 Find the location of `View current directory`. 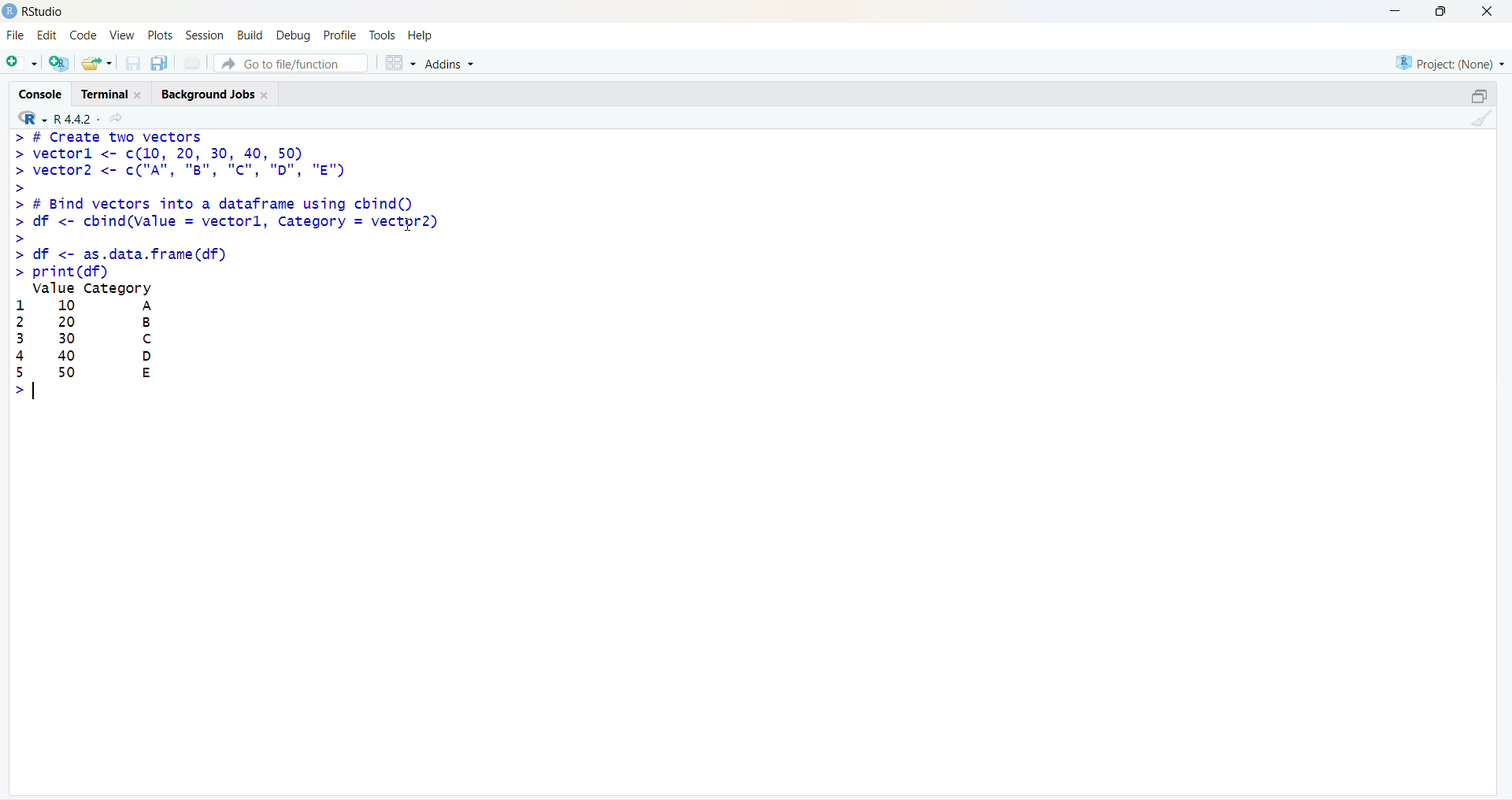

View current directory is located at coordinates (118, 119).